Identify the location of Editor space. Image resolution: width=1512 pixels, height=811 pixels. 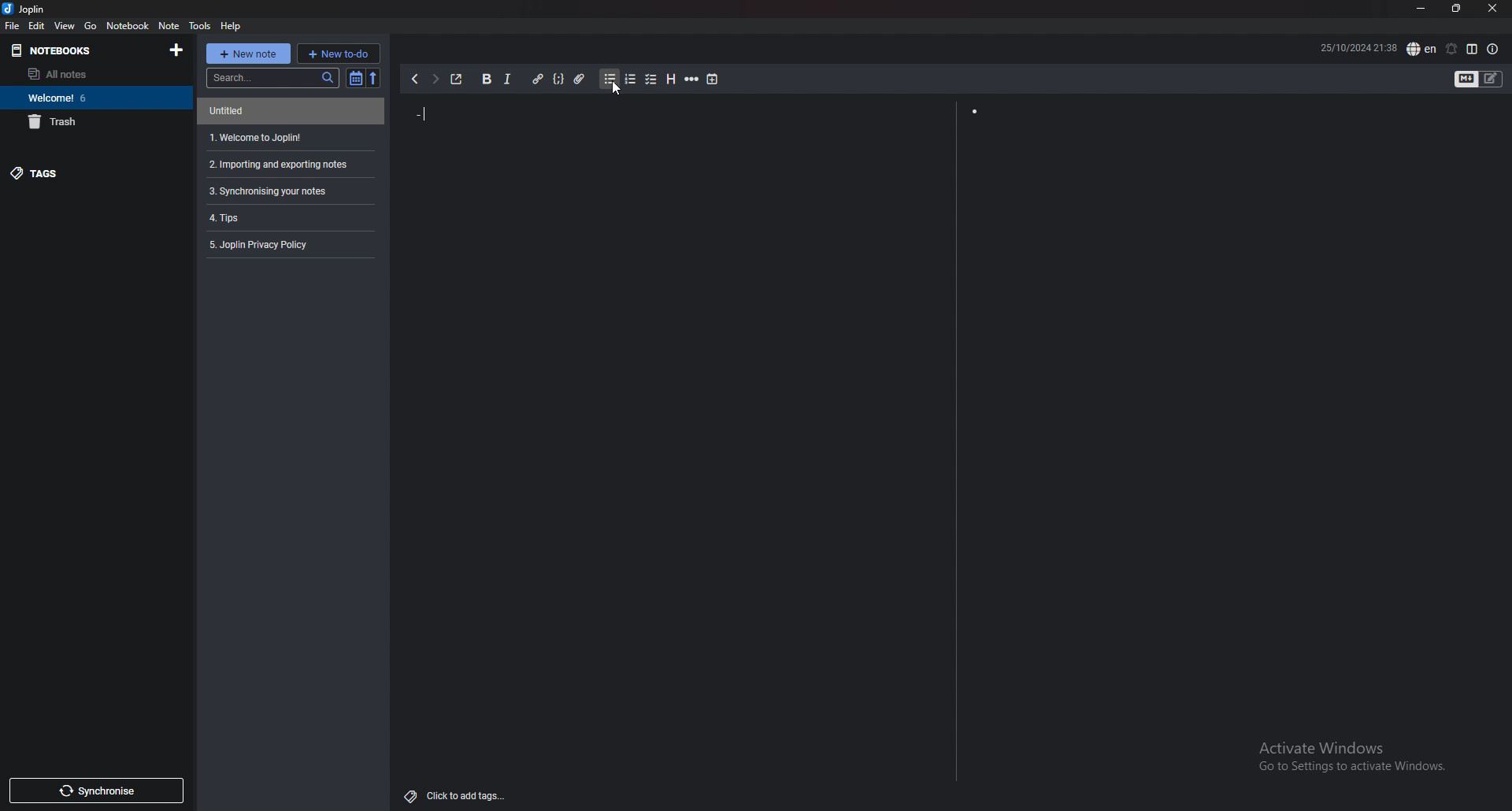
(677, 251).